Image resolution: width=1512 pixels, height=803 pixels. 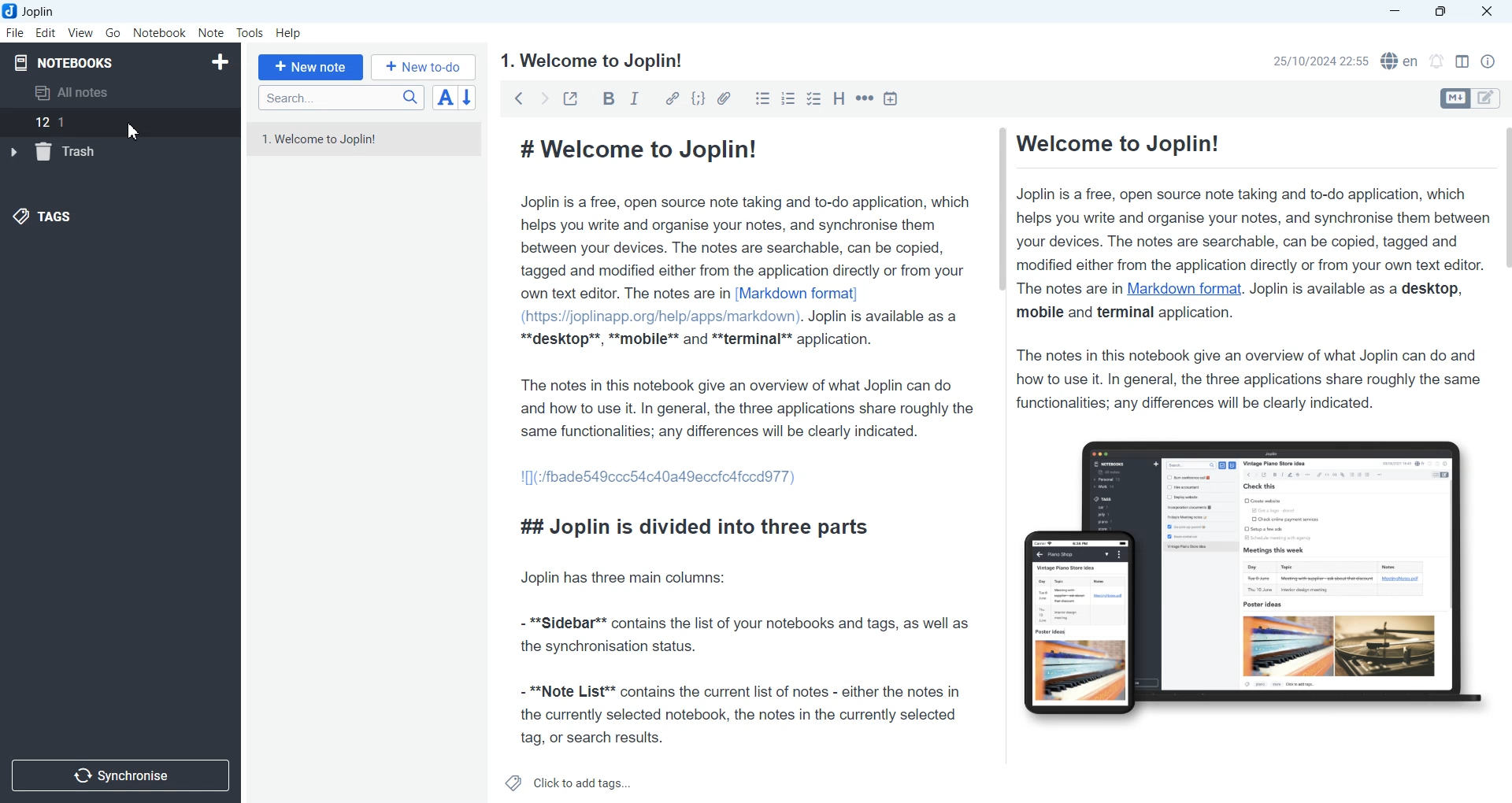 What do you see at coordinates (445, 97) in the screenshot?
I see `Toggle sort order field` at bounding box center [445, 97].